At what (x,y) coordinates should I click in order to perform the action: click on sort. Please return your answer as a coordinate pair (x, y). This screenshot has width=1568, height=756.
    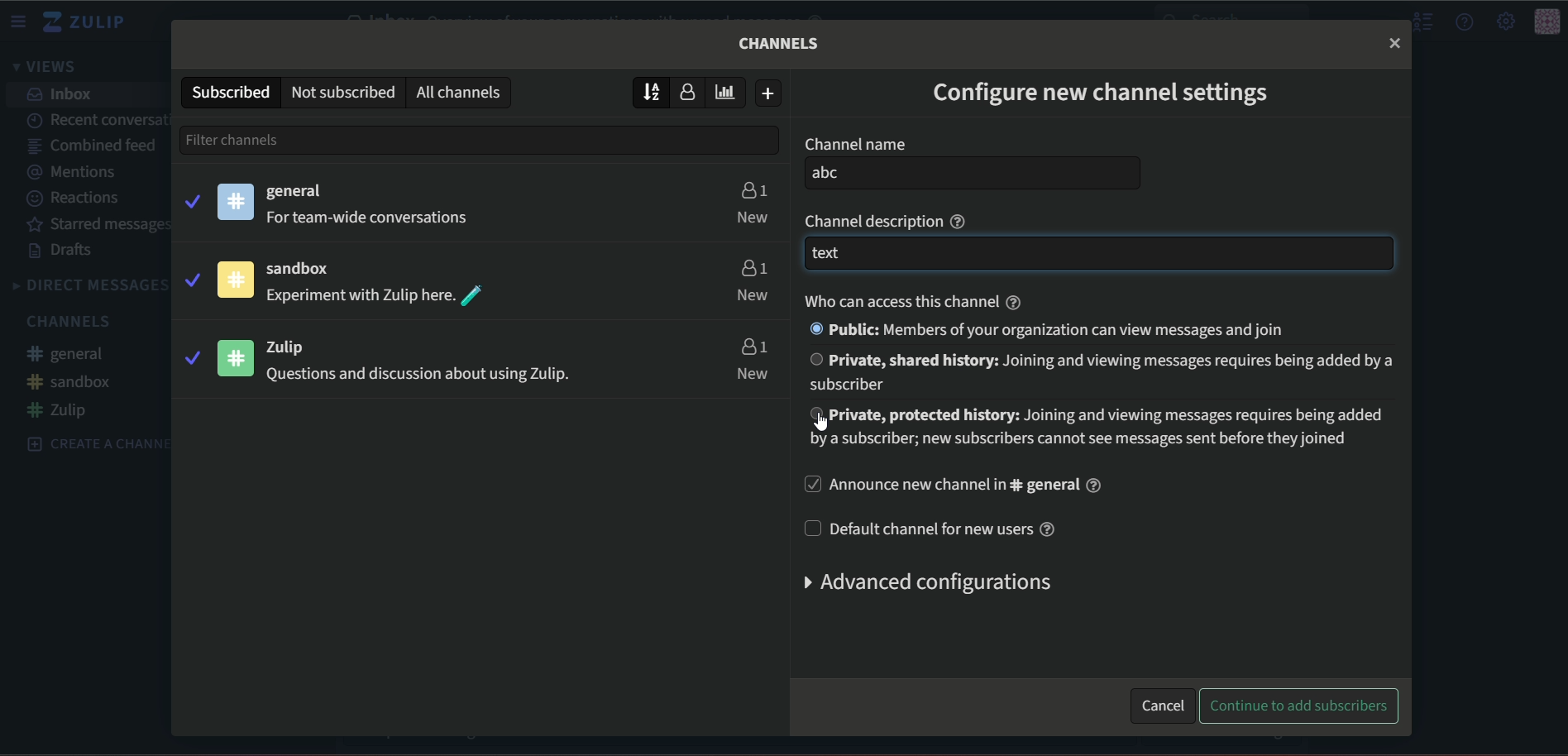
    Looking at the image, I should click on (652, 91).